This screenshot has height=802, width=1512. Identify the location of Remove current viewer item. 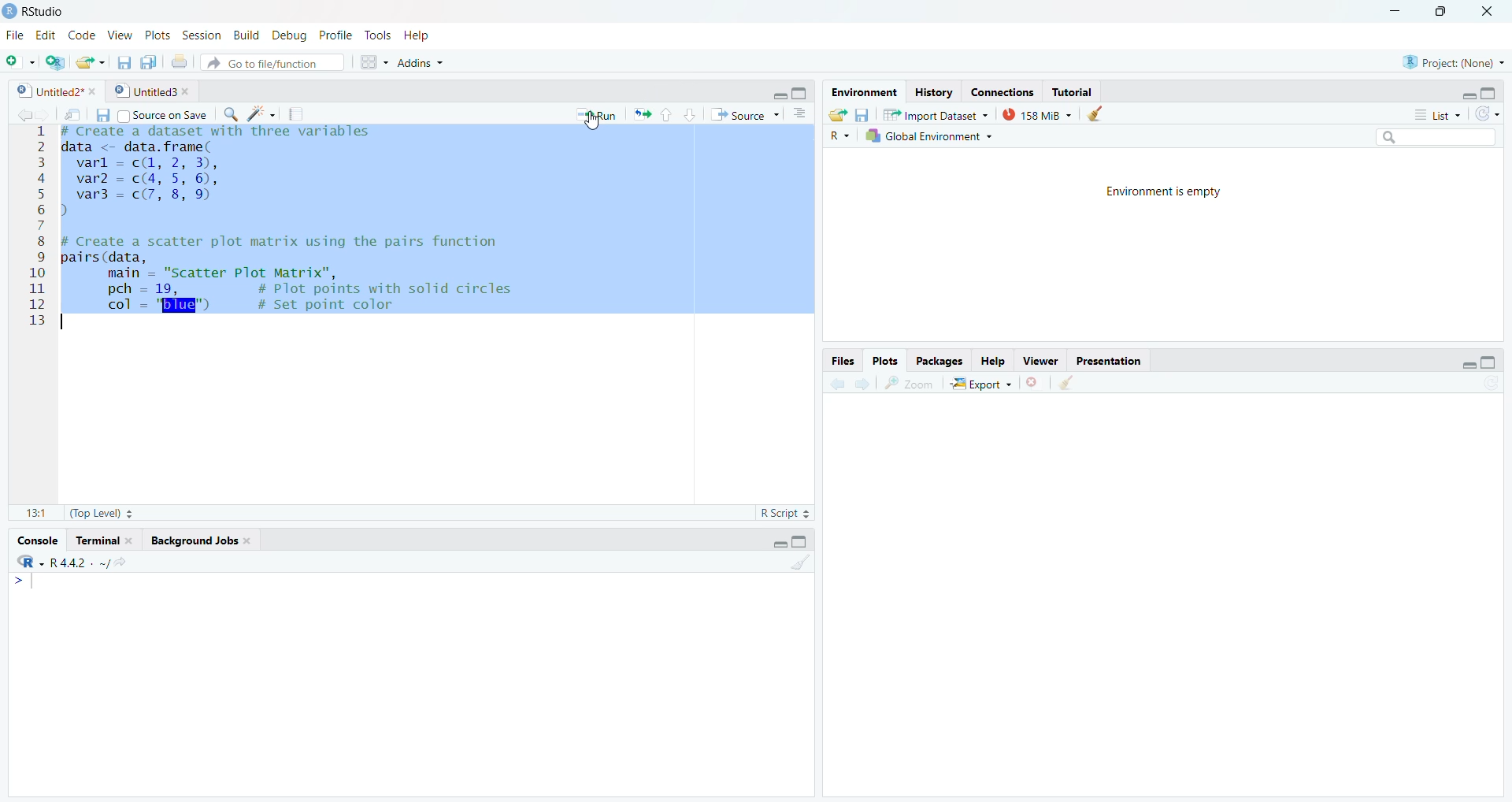
(1034, 387).